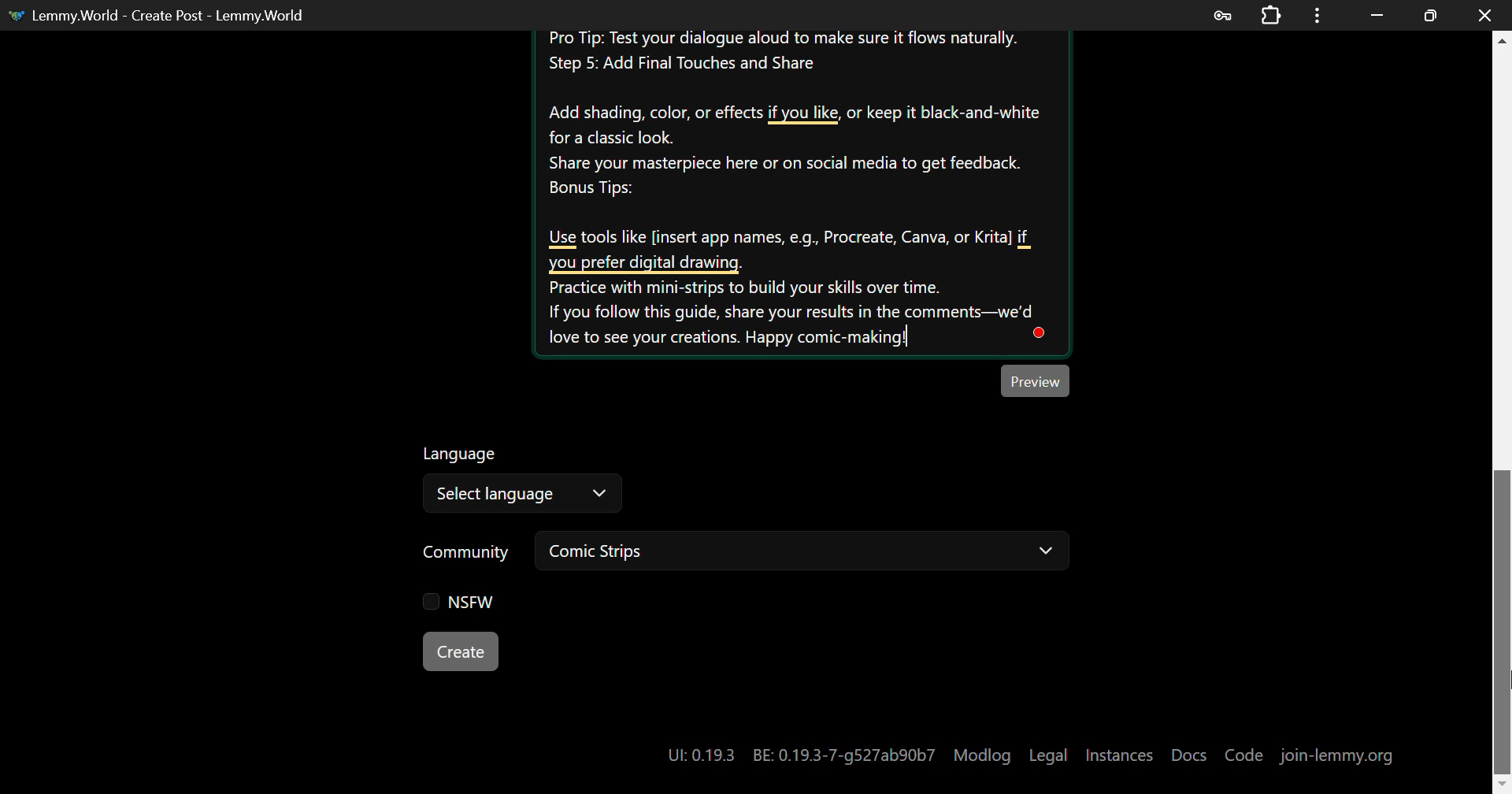 This screenshot has height=794, width=1512. Describe the element at coordinates (1378, 13) in the screenshot. I see `Restore Down` at that location.